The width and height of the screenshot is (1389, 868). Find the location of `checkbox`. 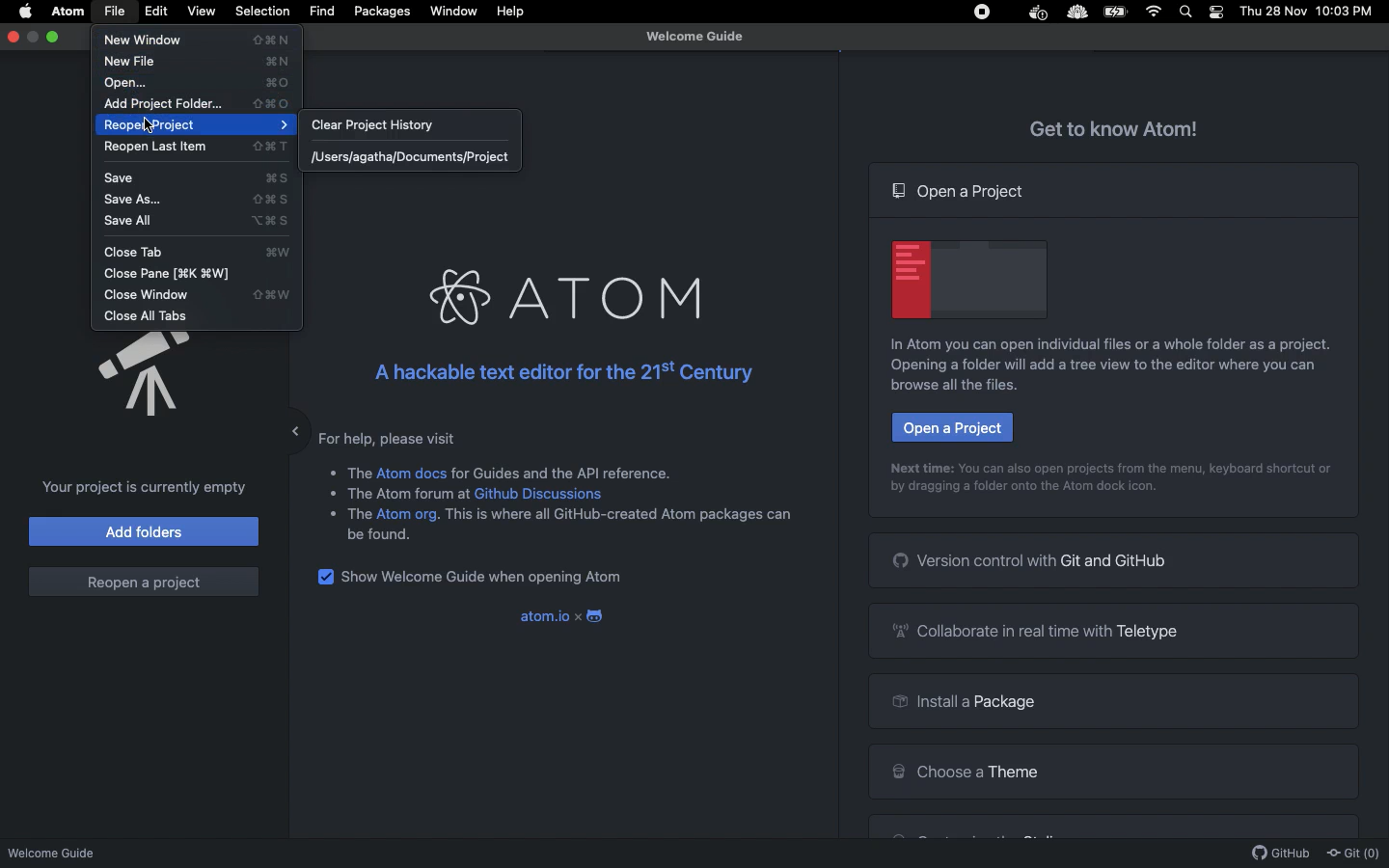

checkbox is located at coordinates (324, 578).